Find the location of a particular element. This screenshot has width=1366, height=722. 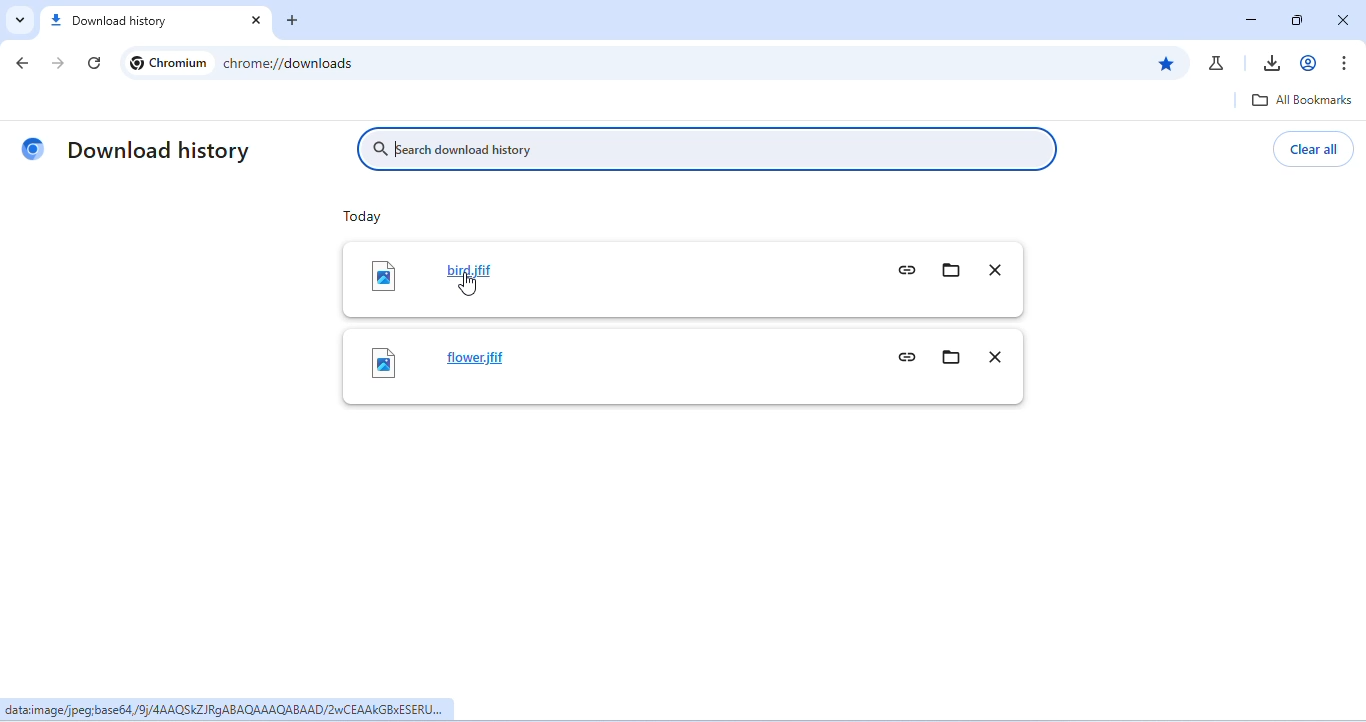

chromium logo is located at coordinates (32, 150).